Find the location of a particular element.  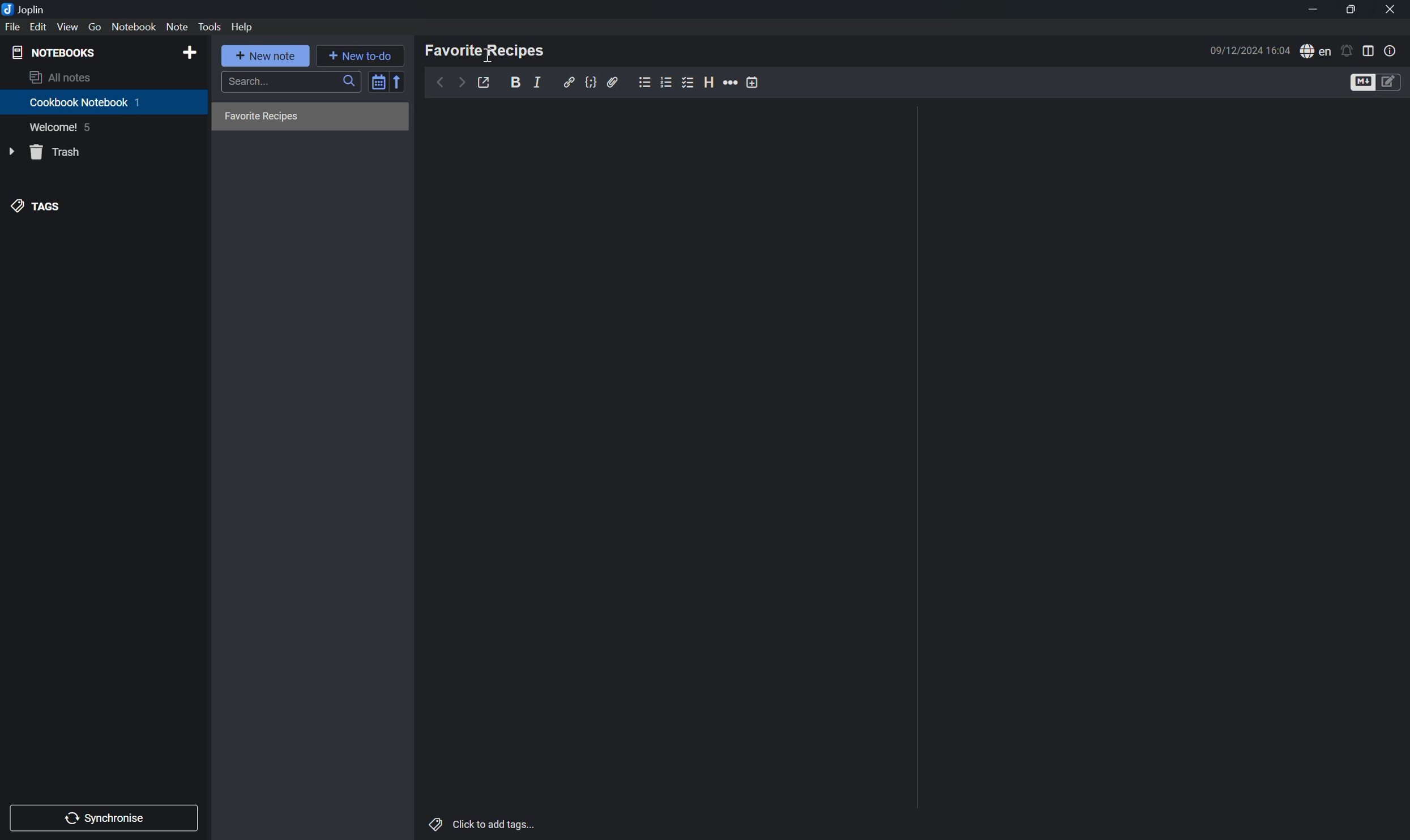

Insert/edit link is located at coordinates (569, 81).